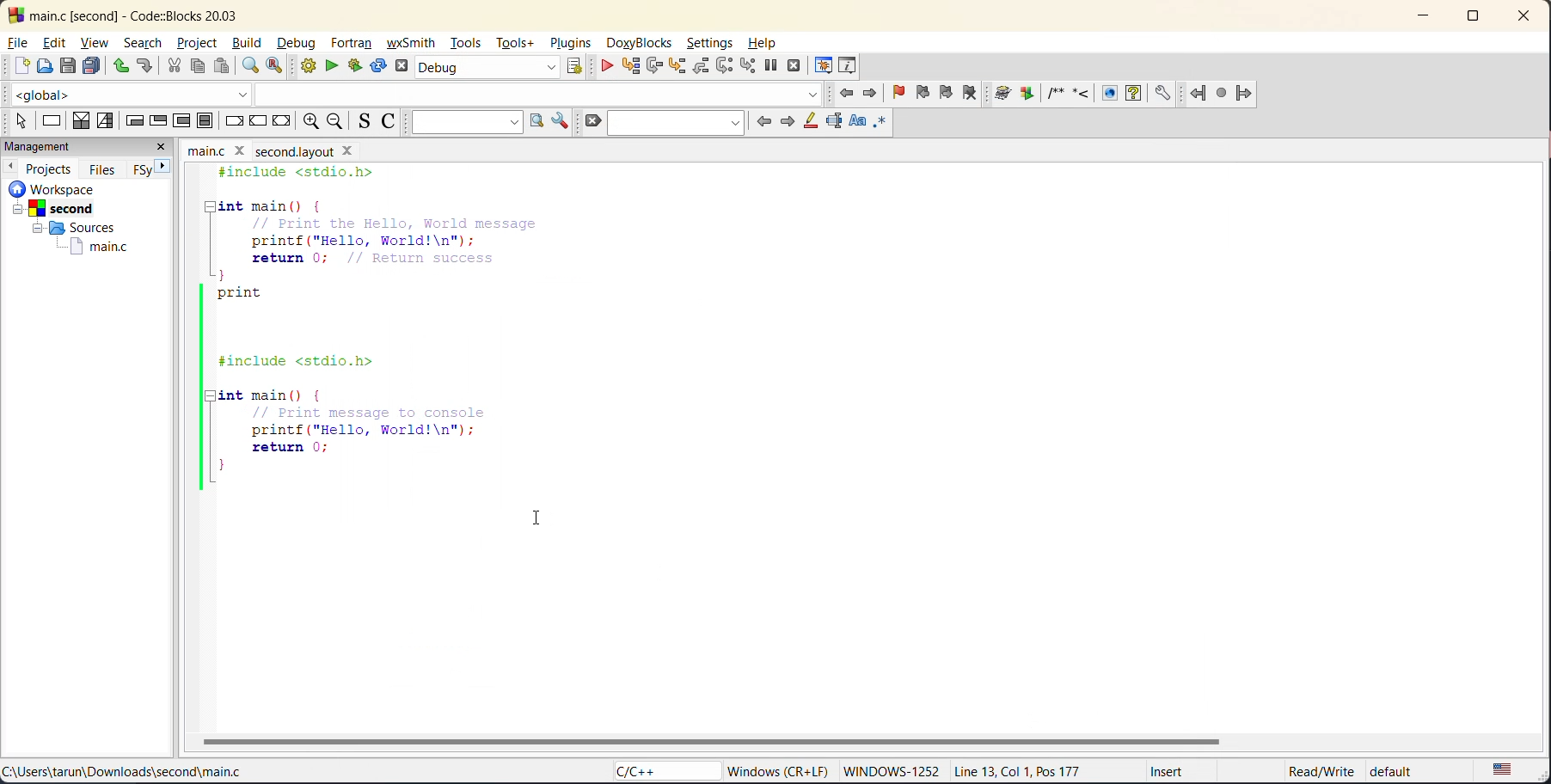 This screenshot has height=784, width=1551. I want to click on next instruction, so click(724, 68).